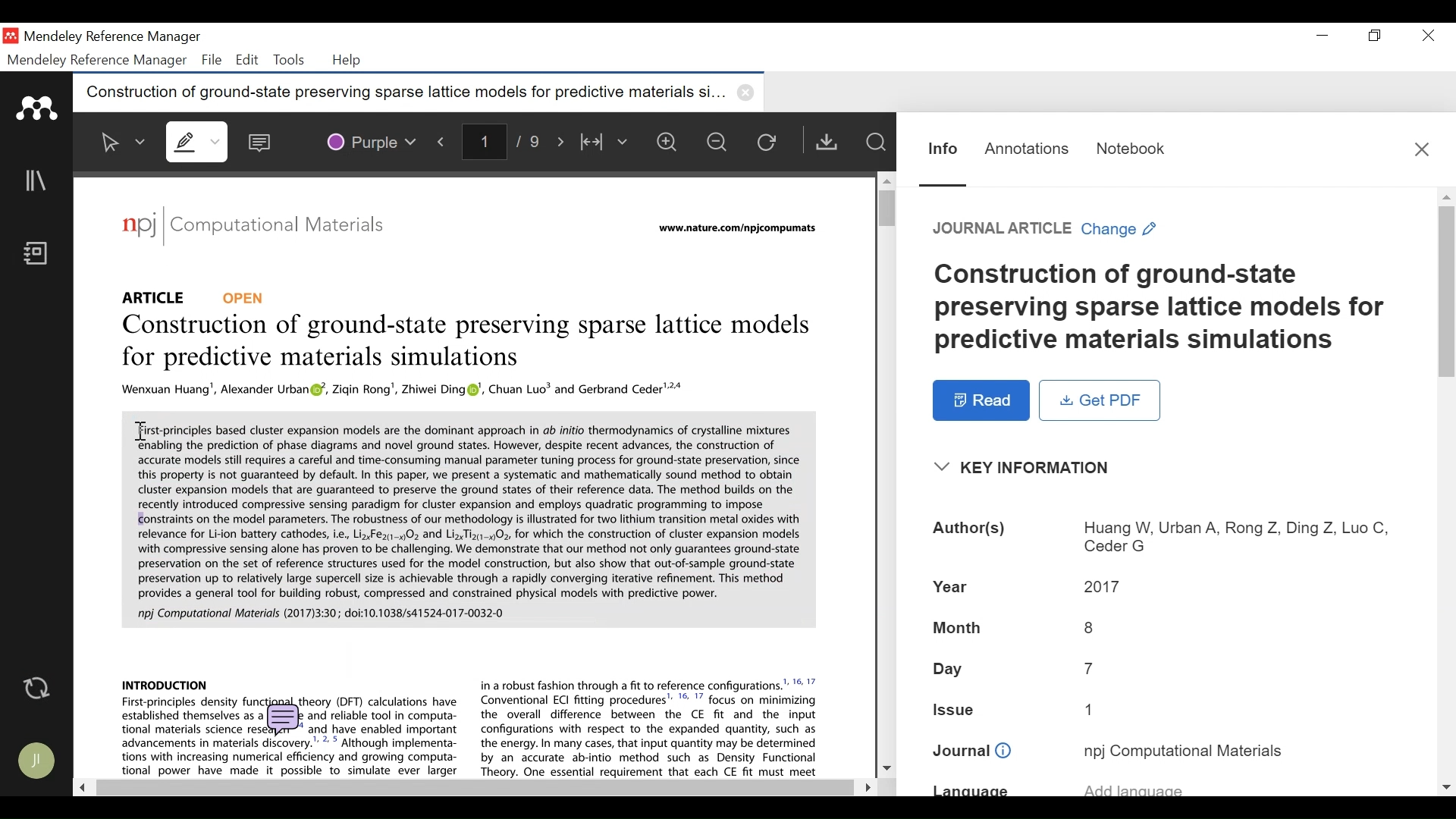 This screenshot has width=1456, height=819. I want to click on Month, so click(1090, 627).